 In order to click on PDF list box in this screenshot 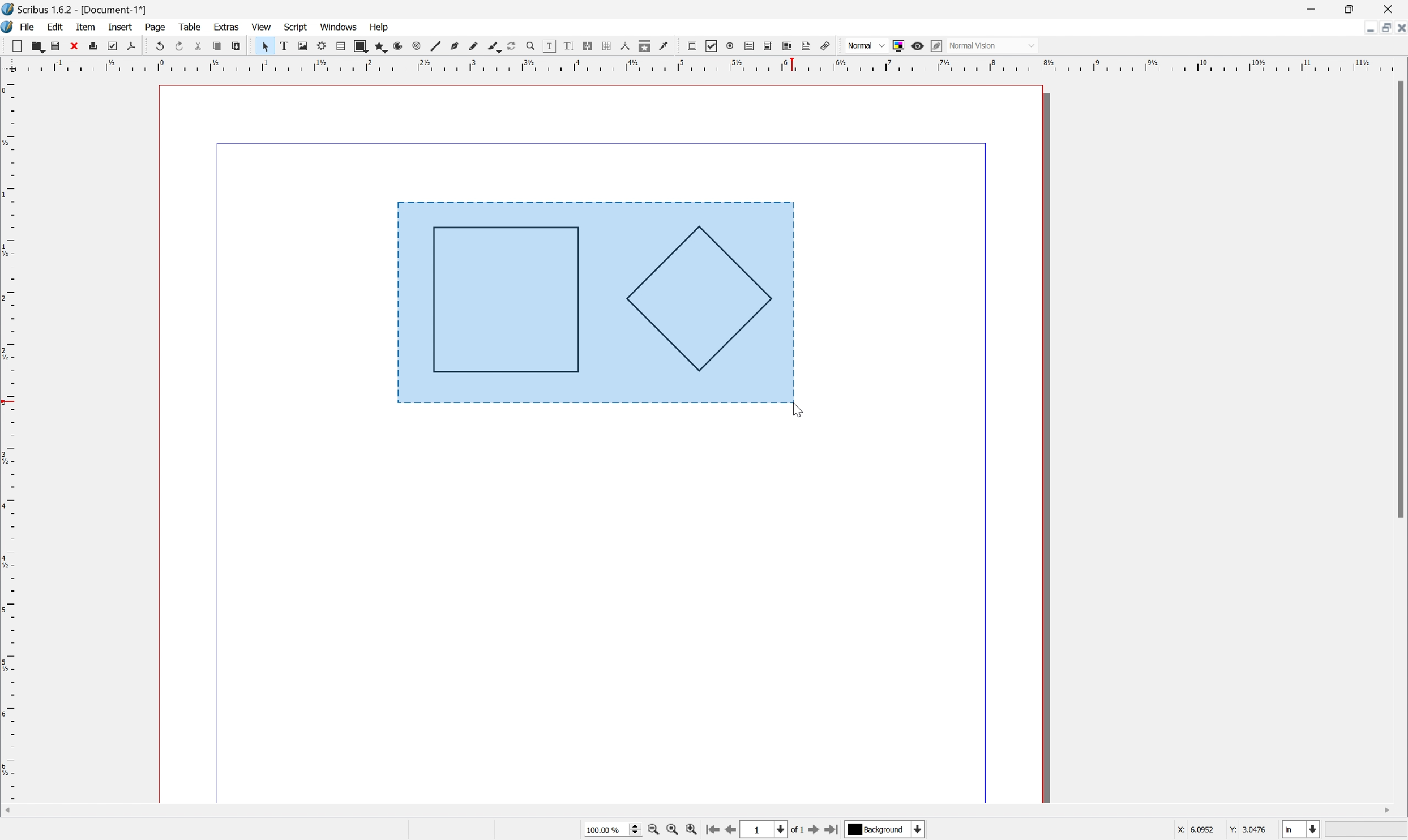, I will do `click(785, 45)`.